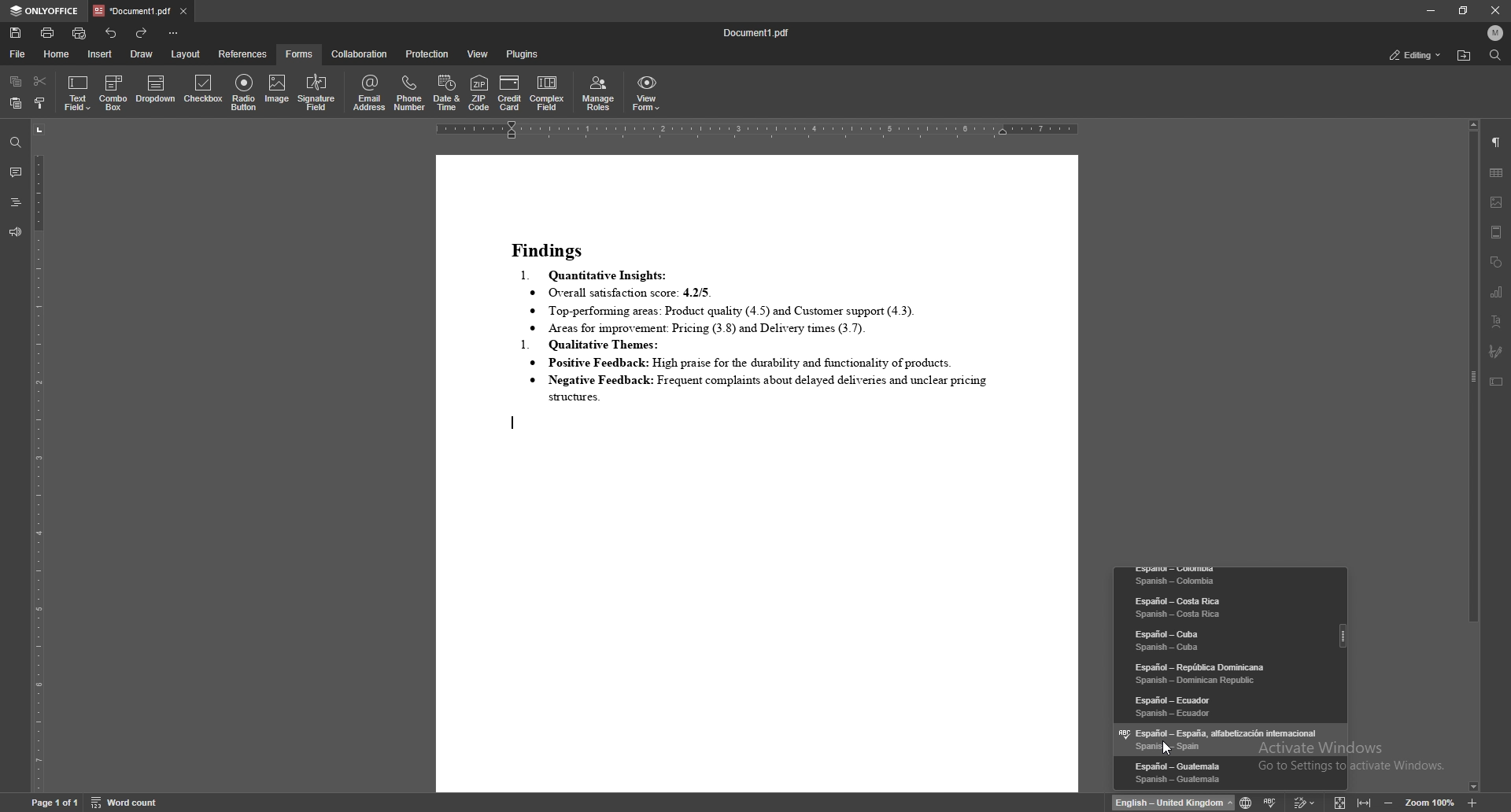 This screenshot has height=812, width=1511. I want to click on spell check, so click(1271, 802).